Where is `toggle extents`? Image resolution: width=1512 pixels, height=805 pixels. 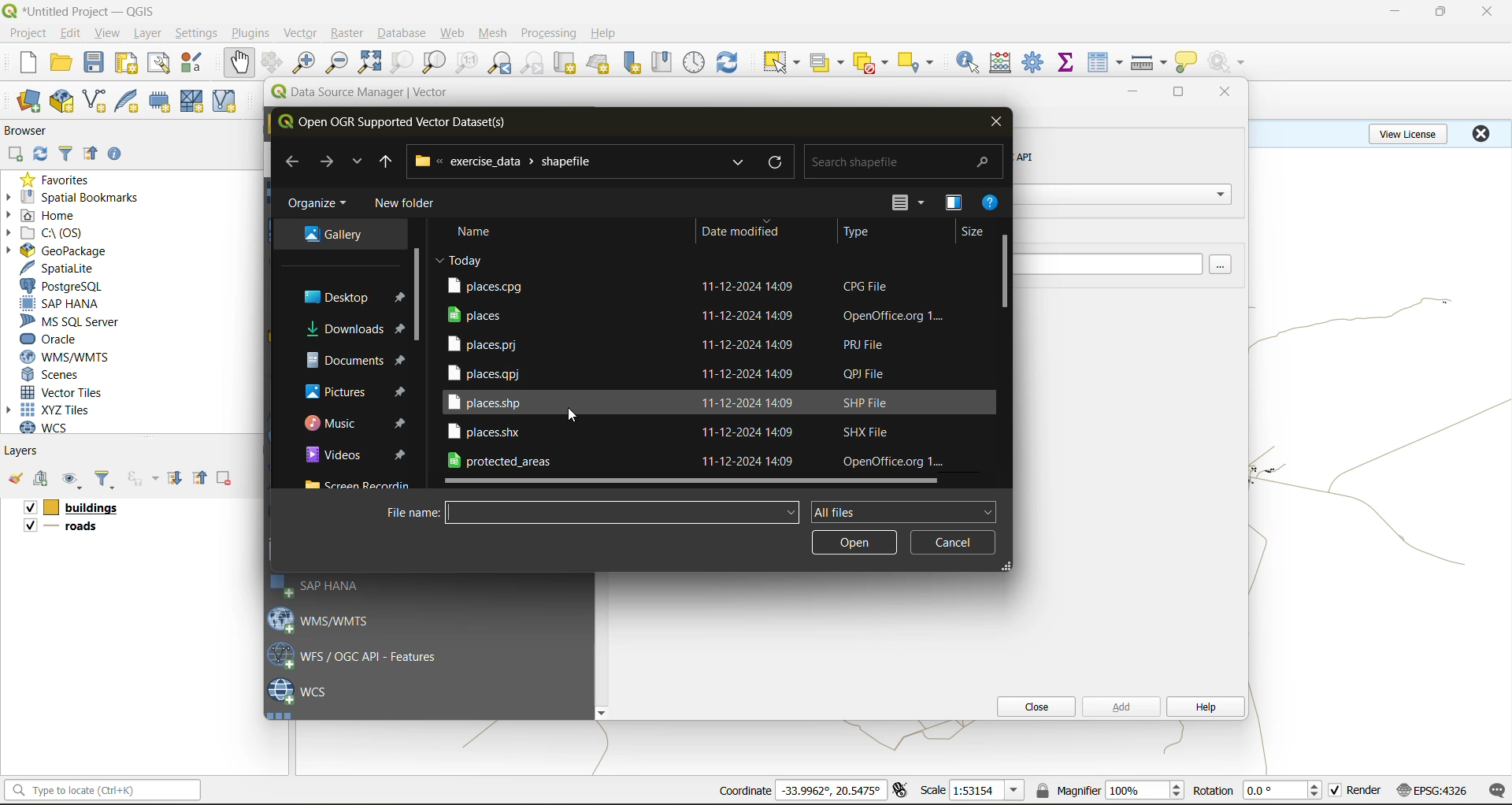 toggle extents is located at coordinates (902, 789).